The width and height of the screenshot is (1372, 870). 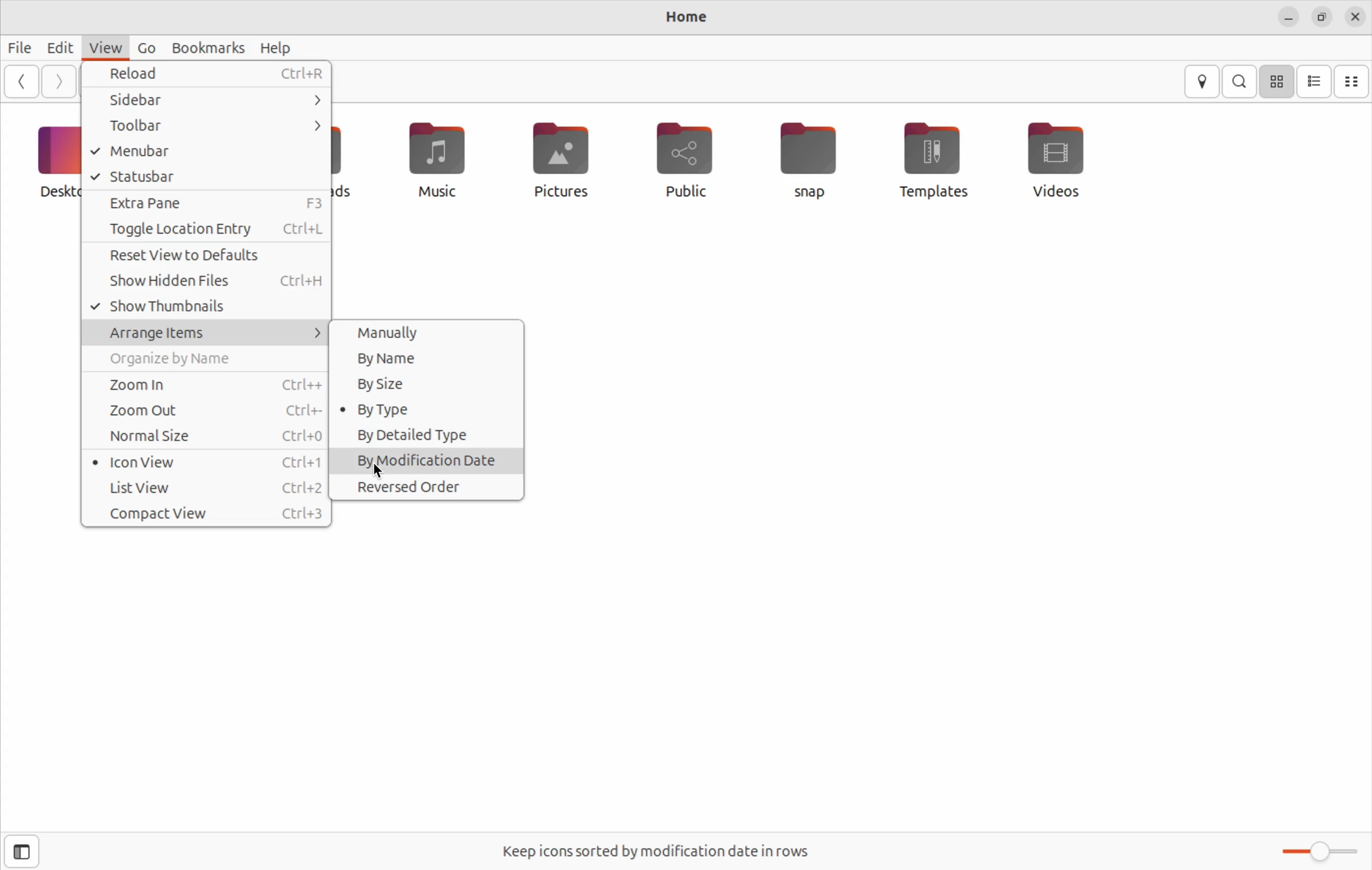 I want to click on list view, so click(x=210, y=488).